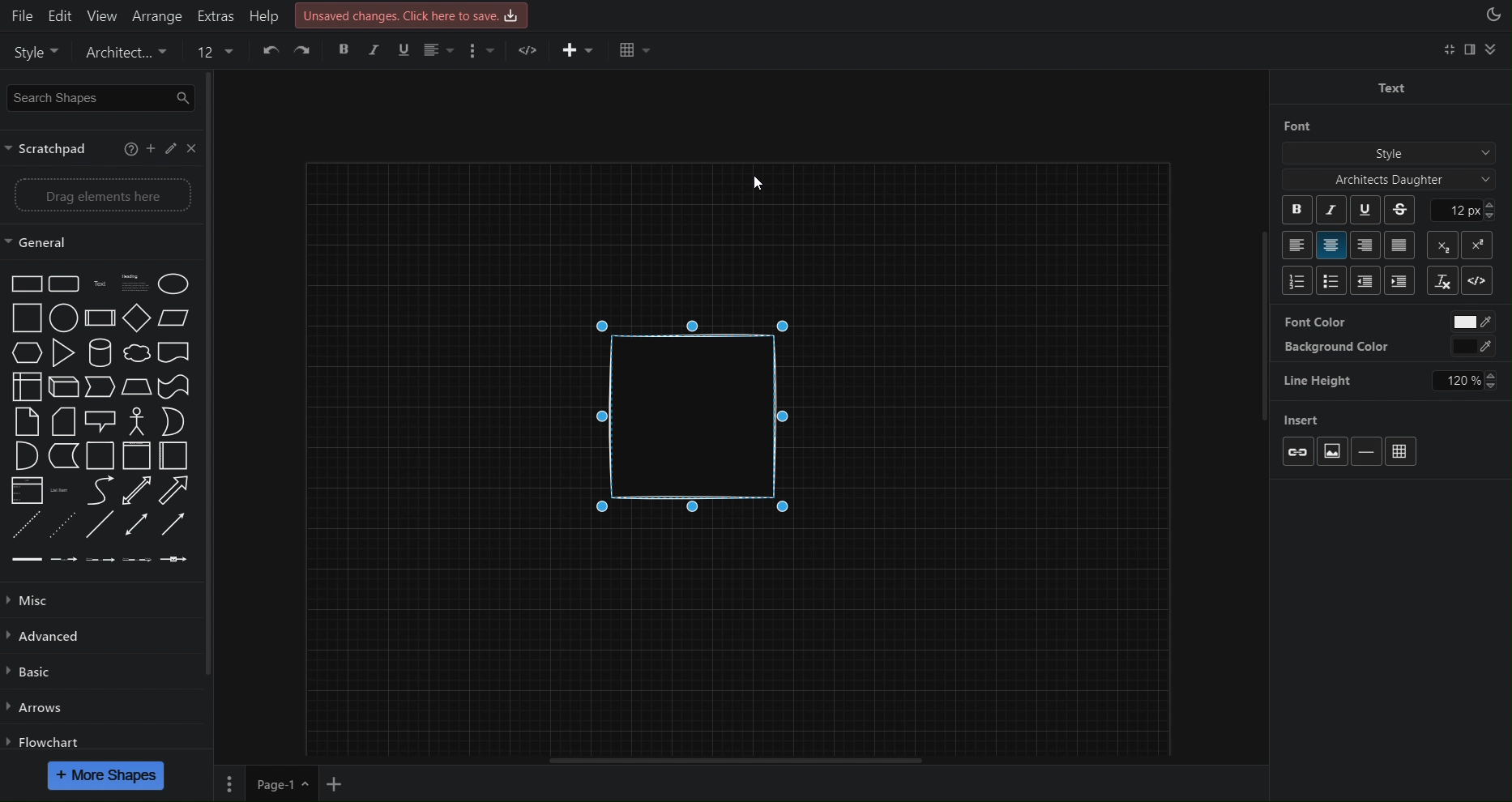  Describe the element at coordinates (1378, 179) in the screenshot. I see `Architects Daughter` at that location.